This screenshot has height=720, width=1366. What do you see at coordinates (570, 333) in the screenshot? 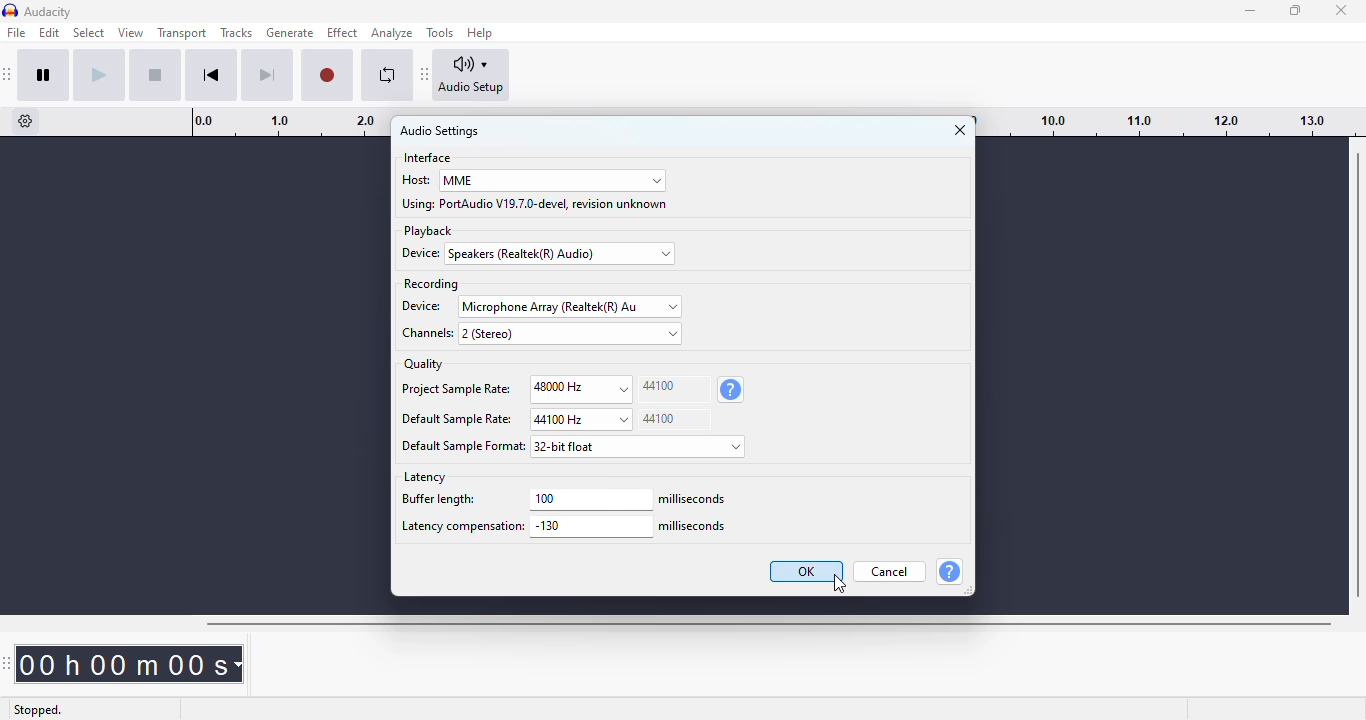
I see `select channels` at bounding box center [570, 333].